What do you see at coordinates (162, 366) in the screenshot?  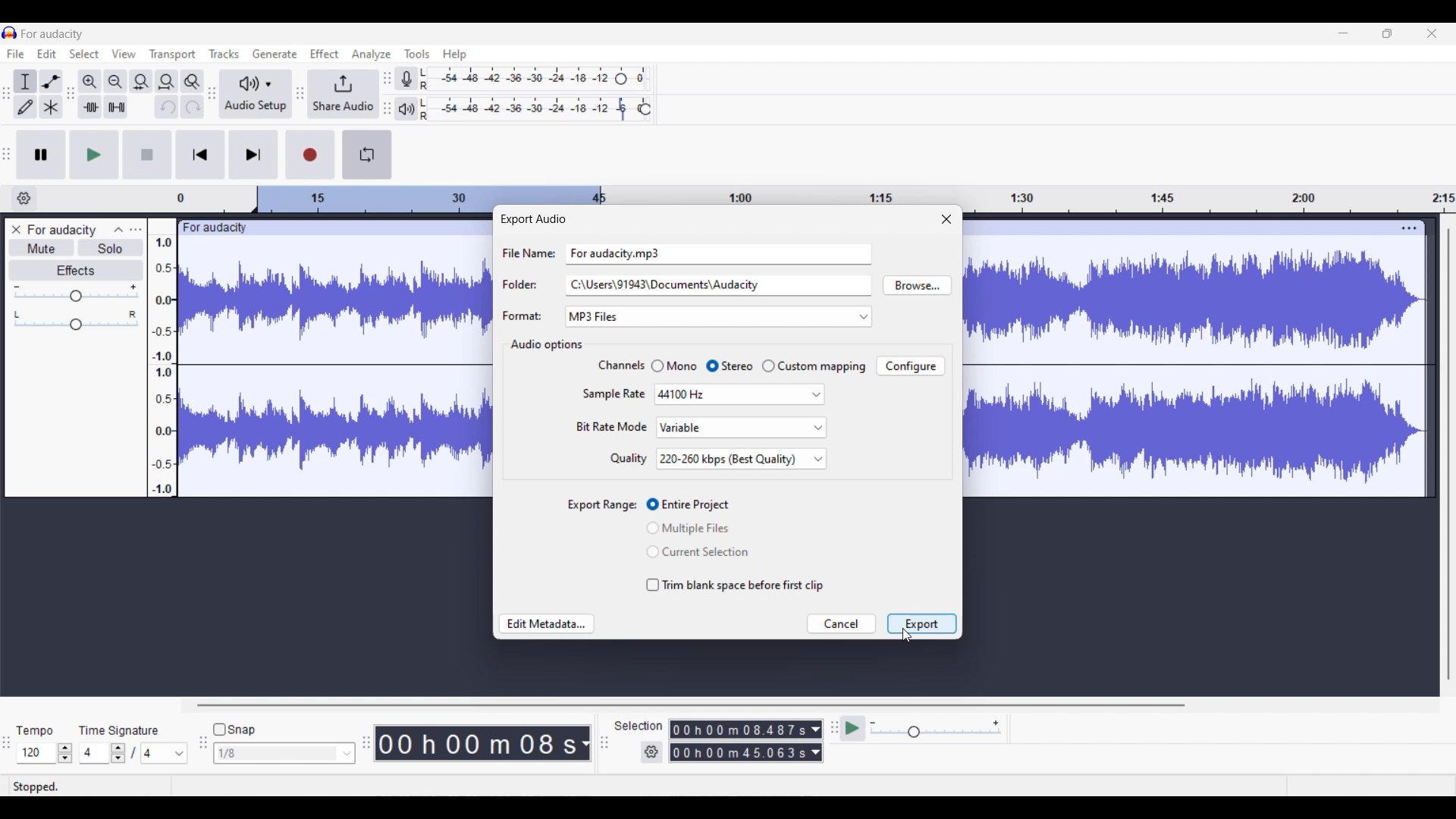 I see `Scale to measure intensty if sound` at bounding box center [162, 366].